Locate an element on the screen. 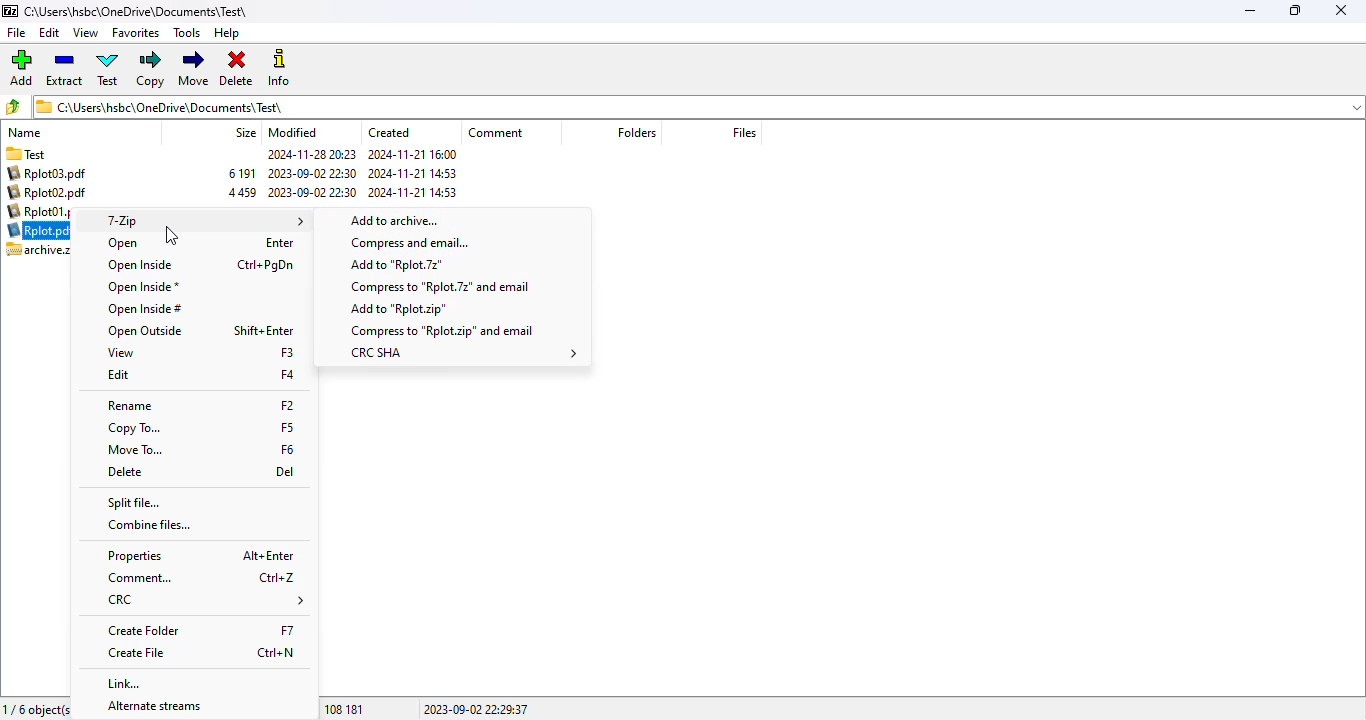 The width and height of the screenshot is (1366, 720). created is located at coordinates (391, 132).